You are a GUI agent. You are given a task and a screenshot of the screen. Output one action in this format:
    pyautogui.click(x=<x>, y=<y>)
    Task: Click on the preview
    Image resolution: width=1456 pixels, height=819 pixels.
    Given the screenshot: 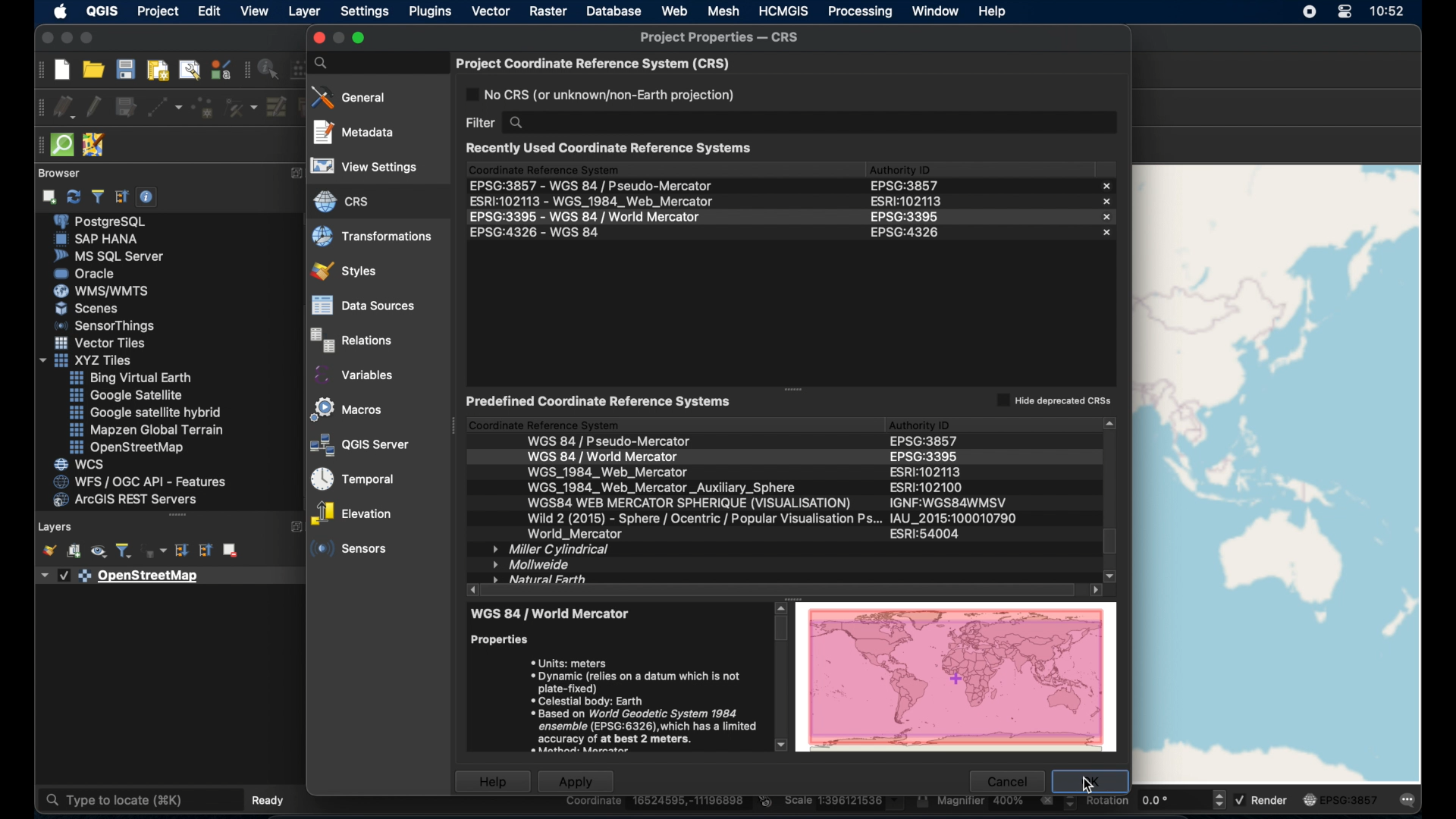 What is the action you would take?
    pyautogui.click(x=959, y=678)
    